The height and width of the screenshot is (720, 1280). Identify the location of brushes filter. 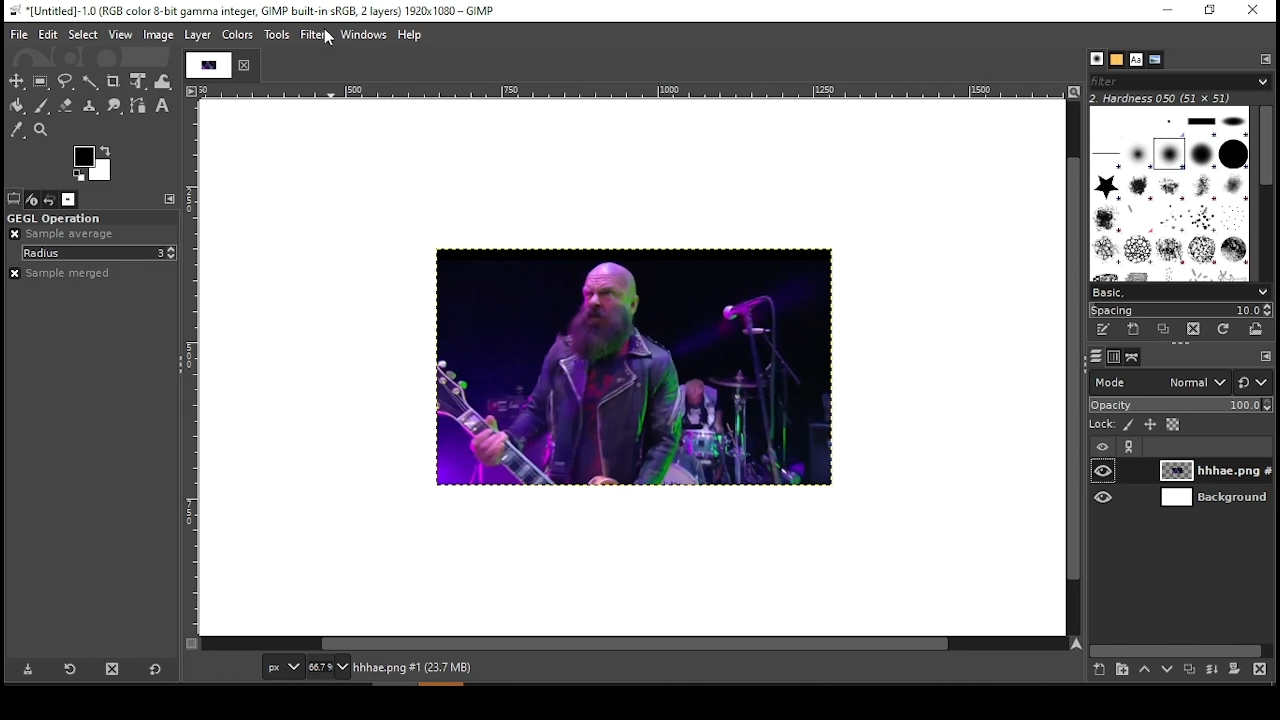
(1178, 81).